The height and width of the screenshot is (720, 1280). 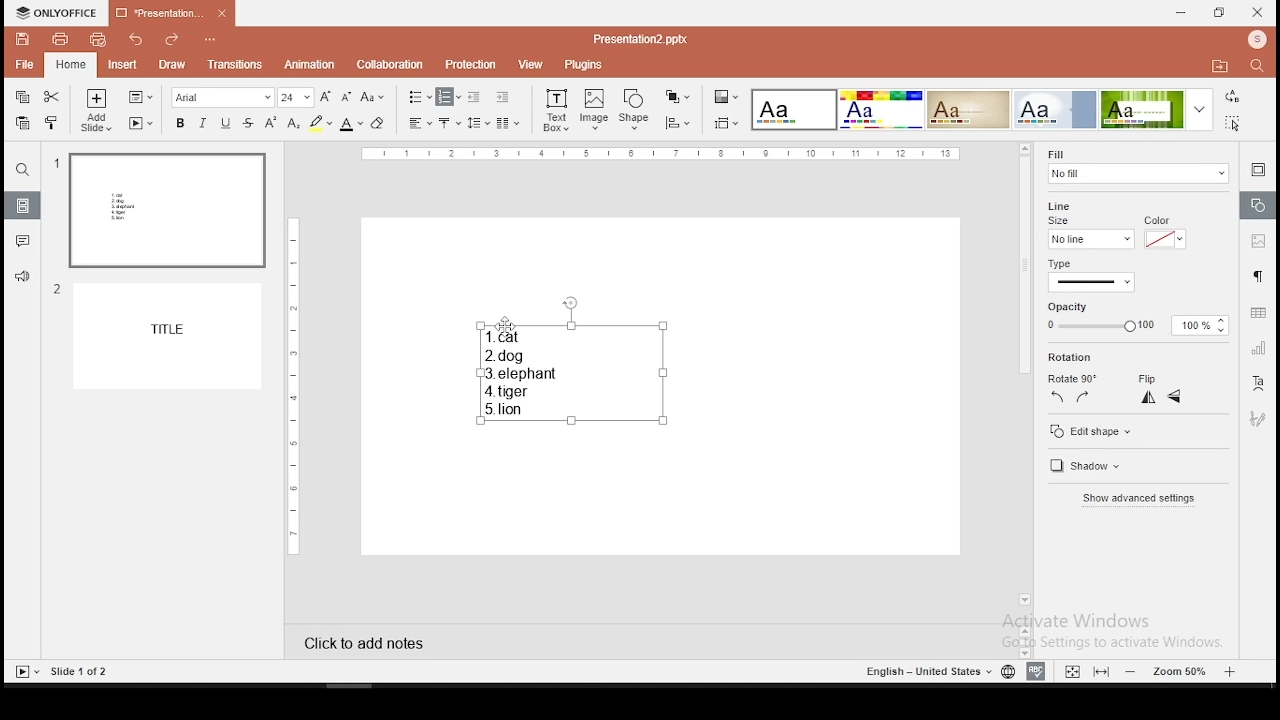 I want to click on minimize, so click(x=1181, y=14).